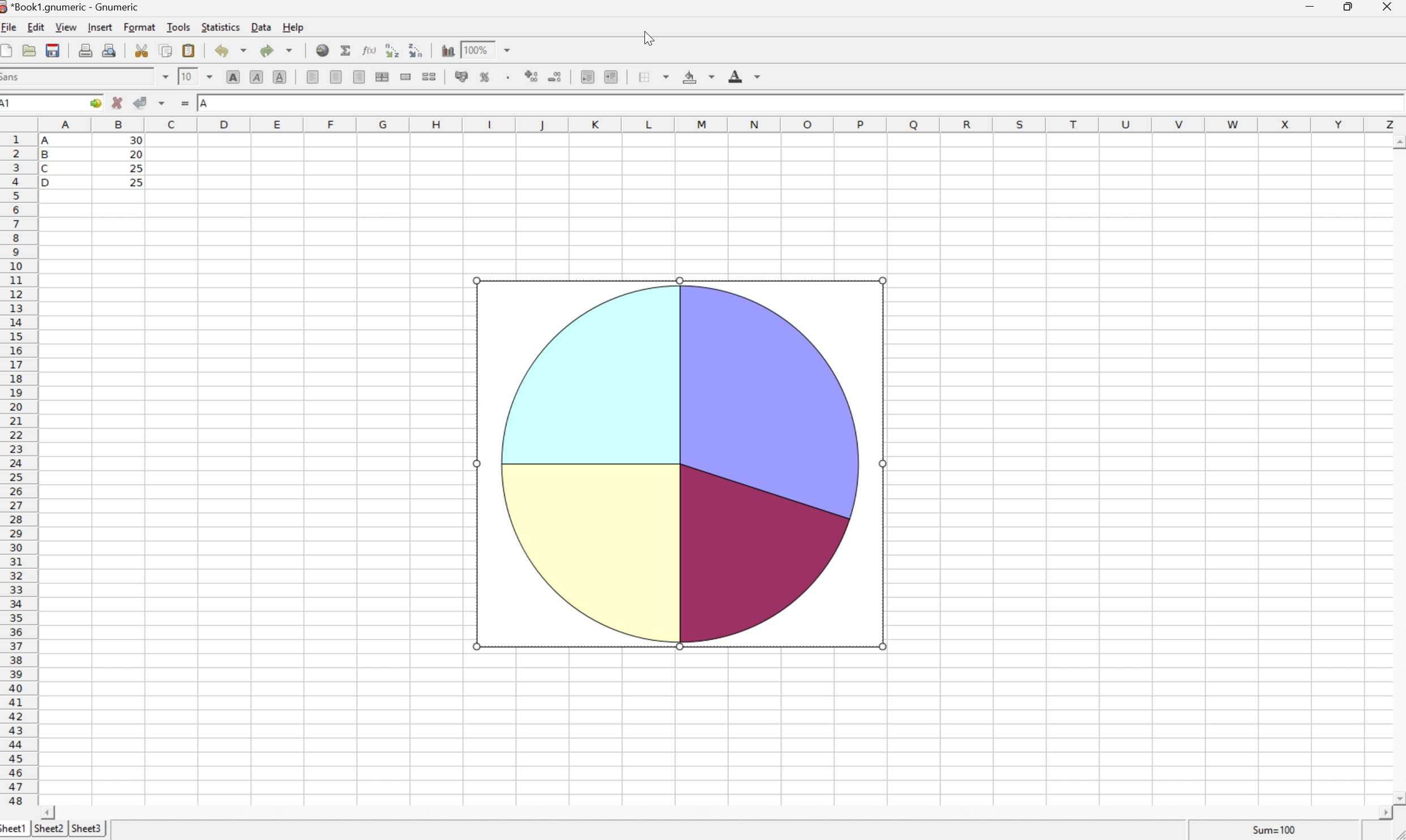 The width and height of the screenshot is (1406, 840). What do you see at coordinates (13, 104) in the screenshot?
I see `A1` at bounding box center [13, 104].